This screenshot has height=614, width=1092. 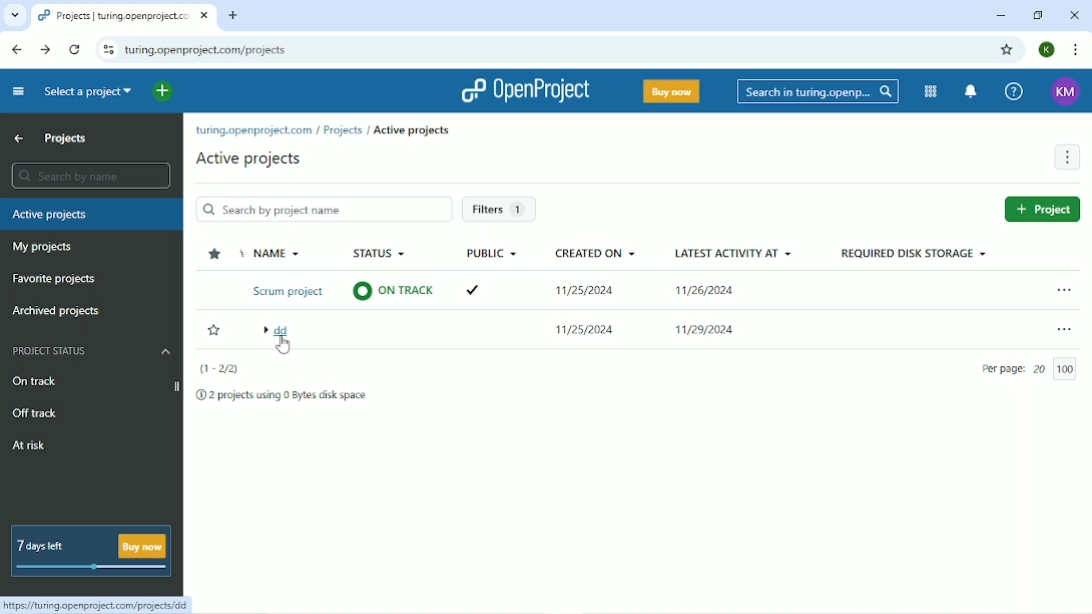 I want to click on More, so click(x=1067, y=159).